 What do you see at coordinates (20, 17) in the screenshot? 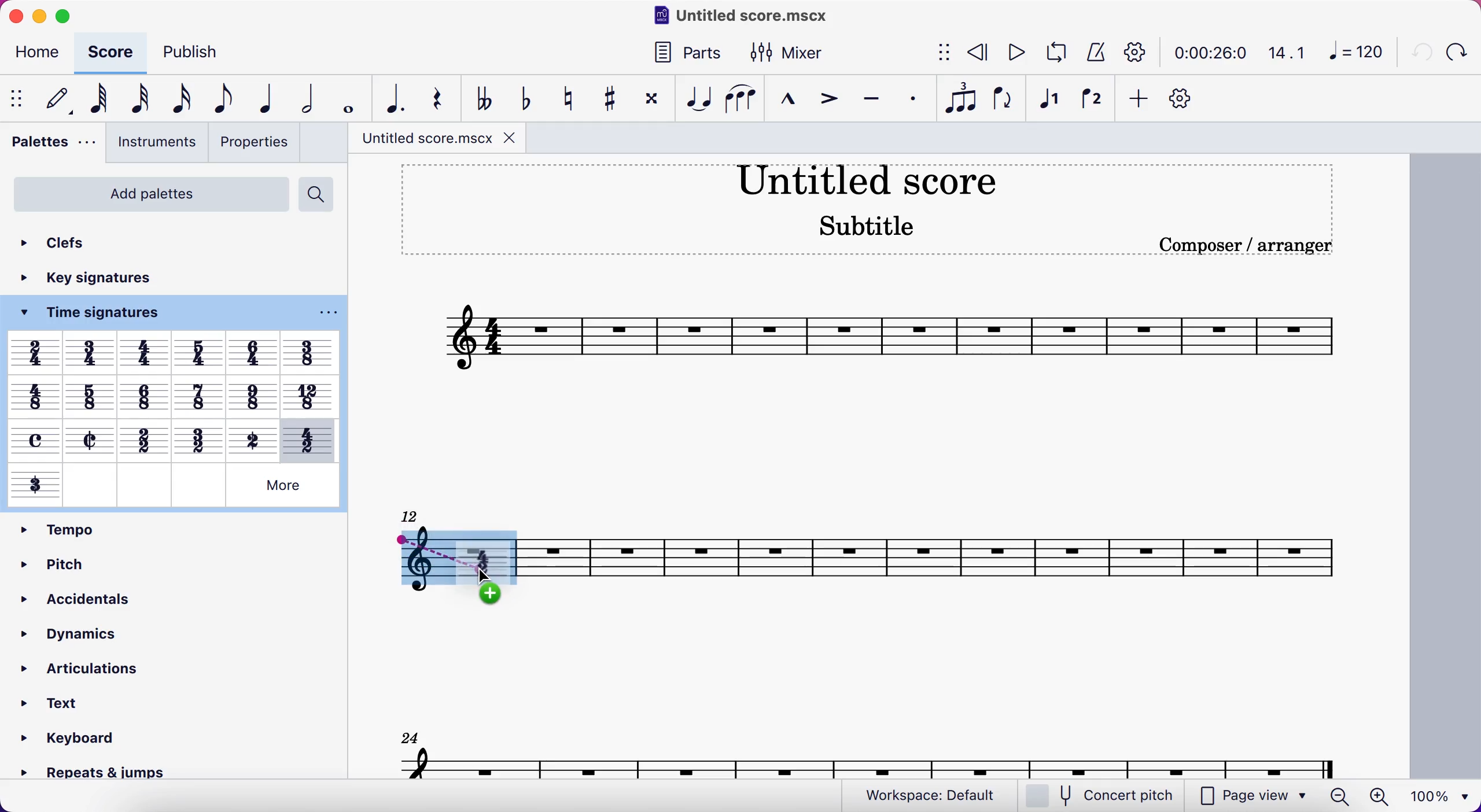
I see `close` at bounding box center [20, 17].